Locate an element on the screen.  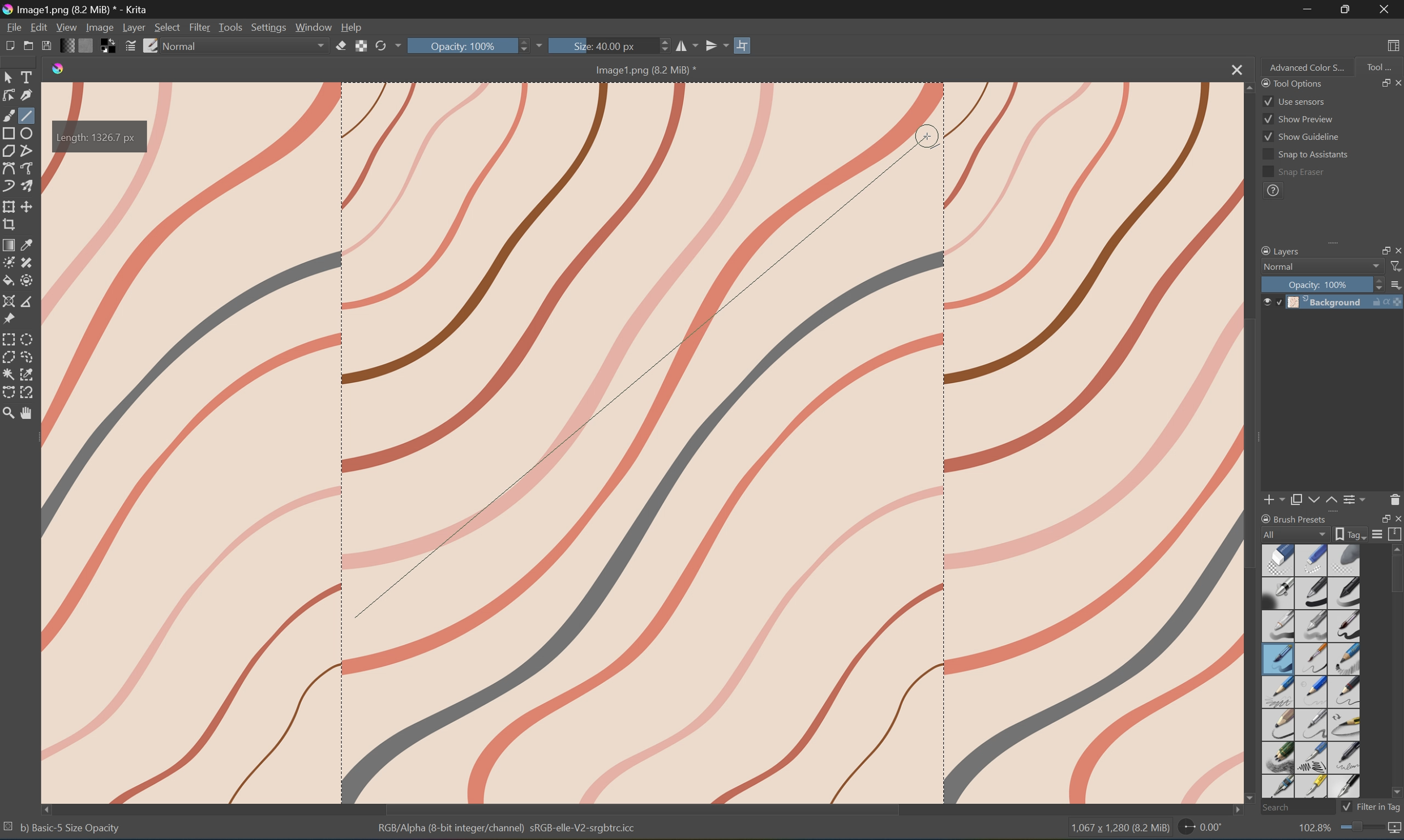
Polygonal selection tool is located at coordinates (9, 357).